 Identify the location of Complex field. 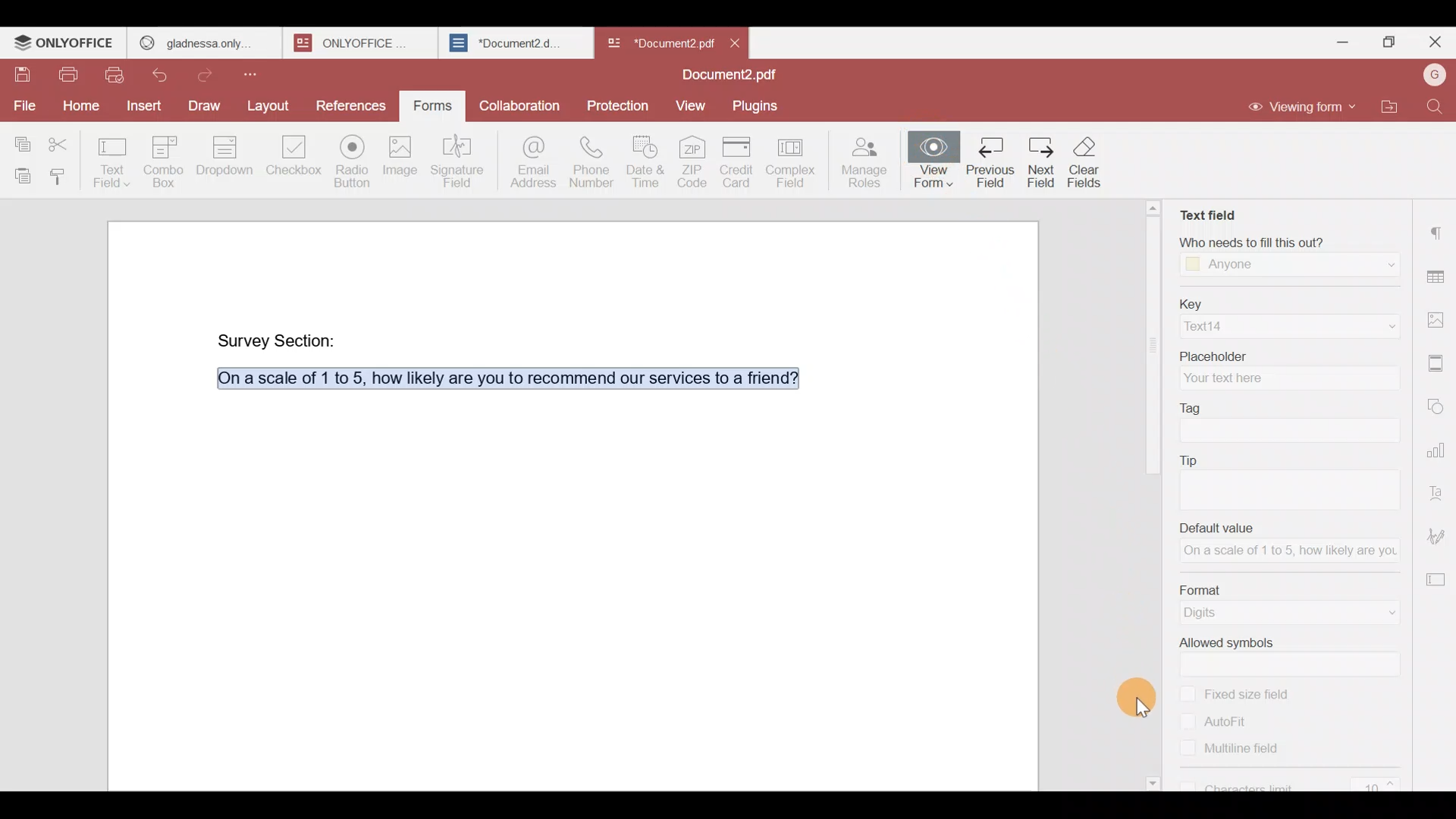
(796, 160).